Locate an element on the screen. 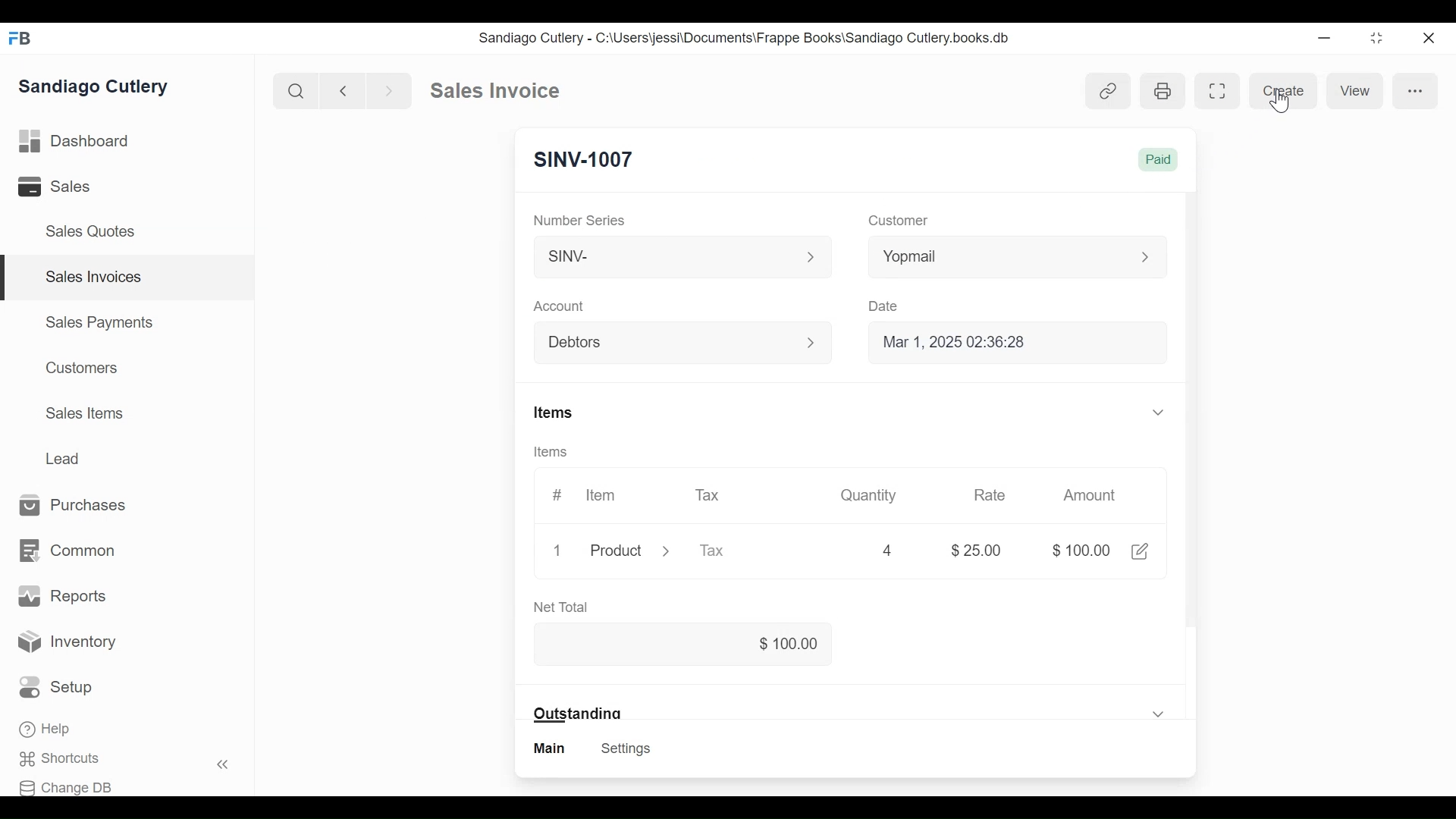 This screenshot has height=819, width=1456. Edit is located at coordinates (1141, 551).